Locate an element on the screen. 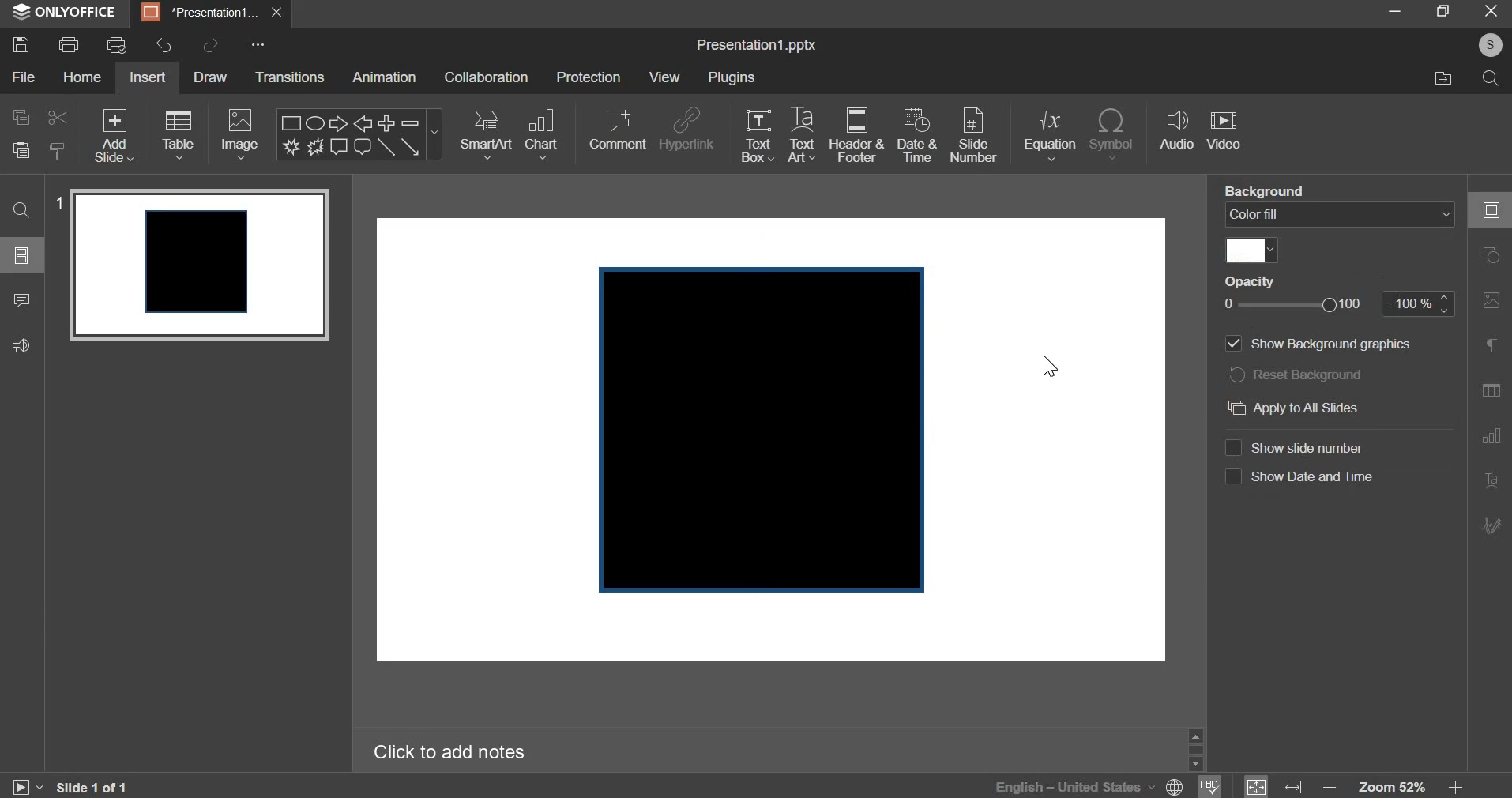  video is located at coordinates (1224, 130).